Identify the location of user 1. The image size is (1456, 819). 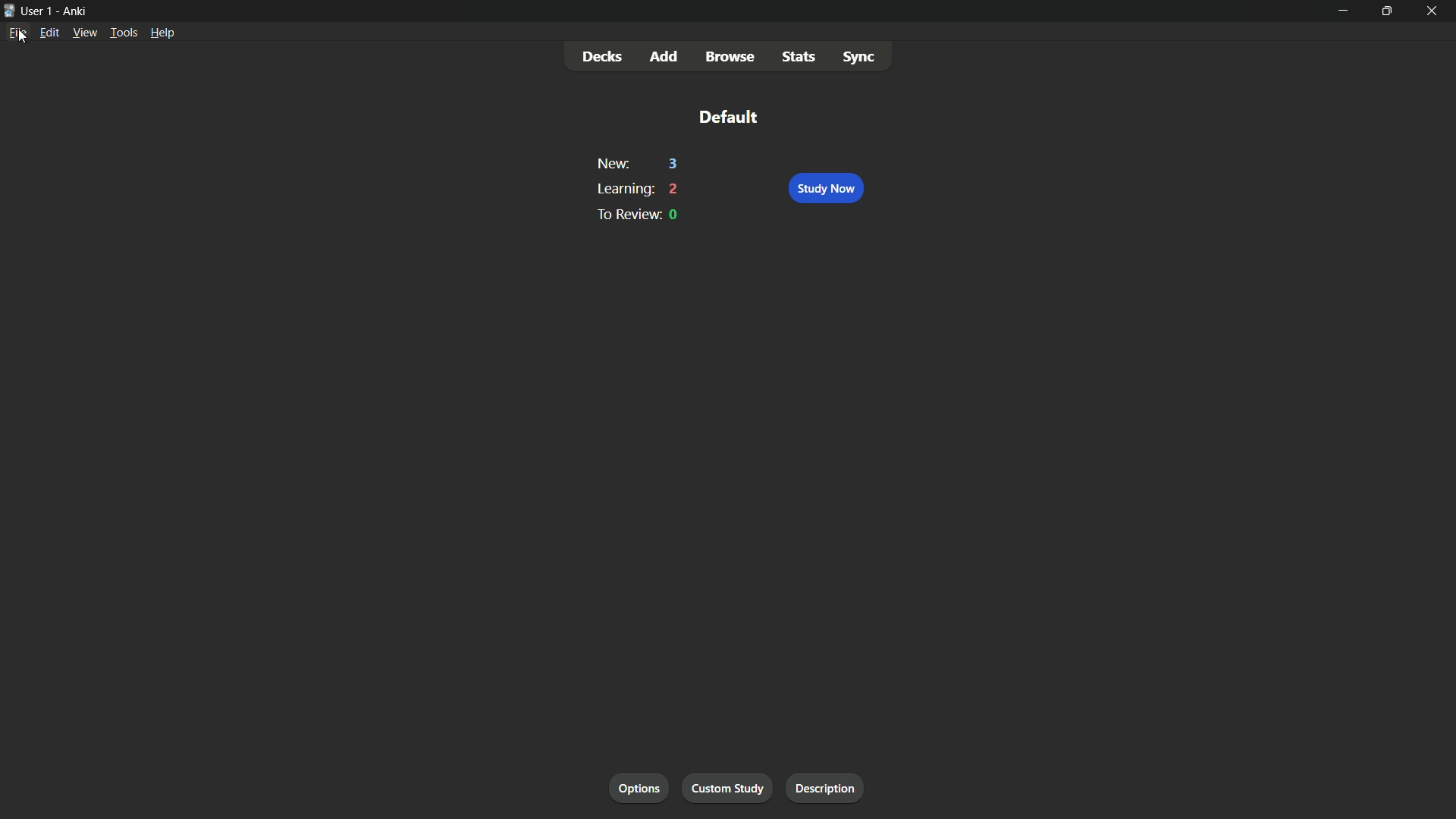
(39, 11).